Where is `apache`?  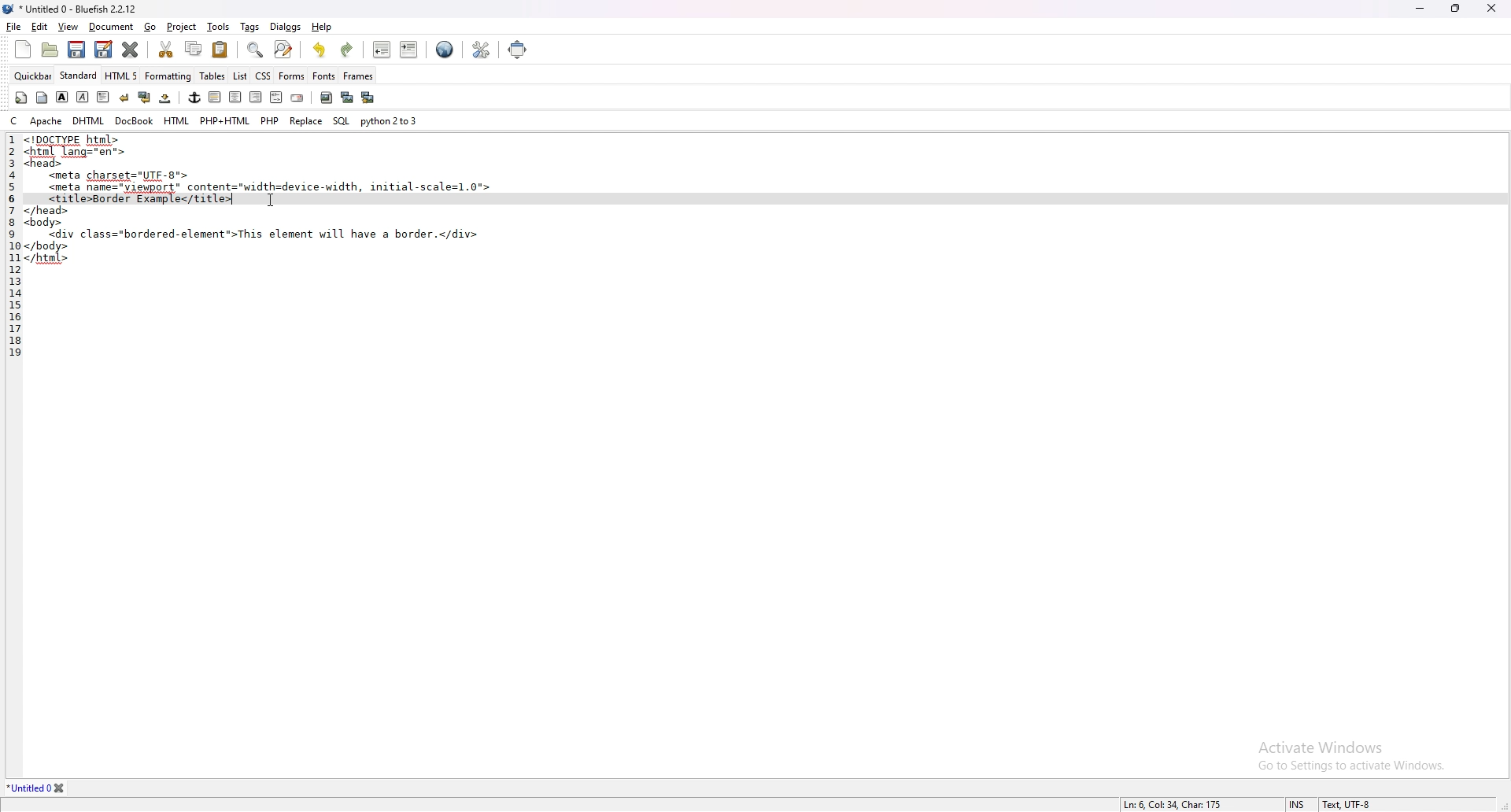 apache is located at coordinates (46, 120).